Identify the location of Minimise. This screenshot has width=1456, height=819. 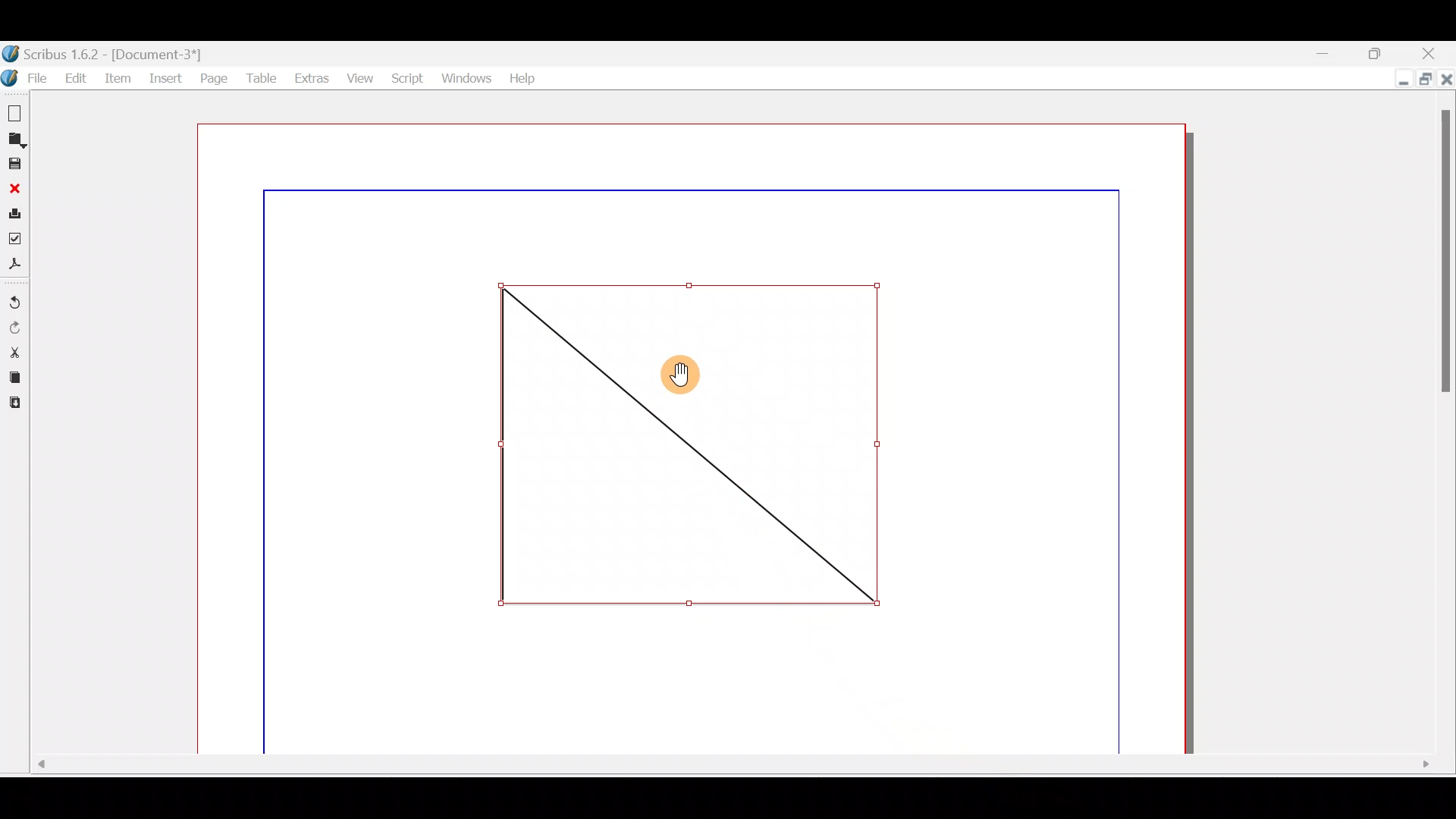
(1395, 81).